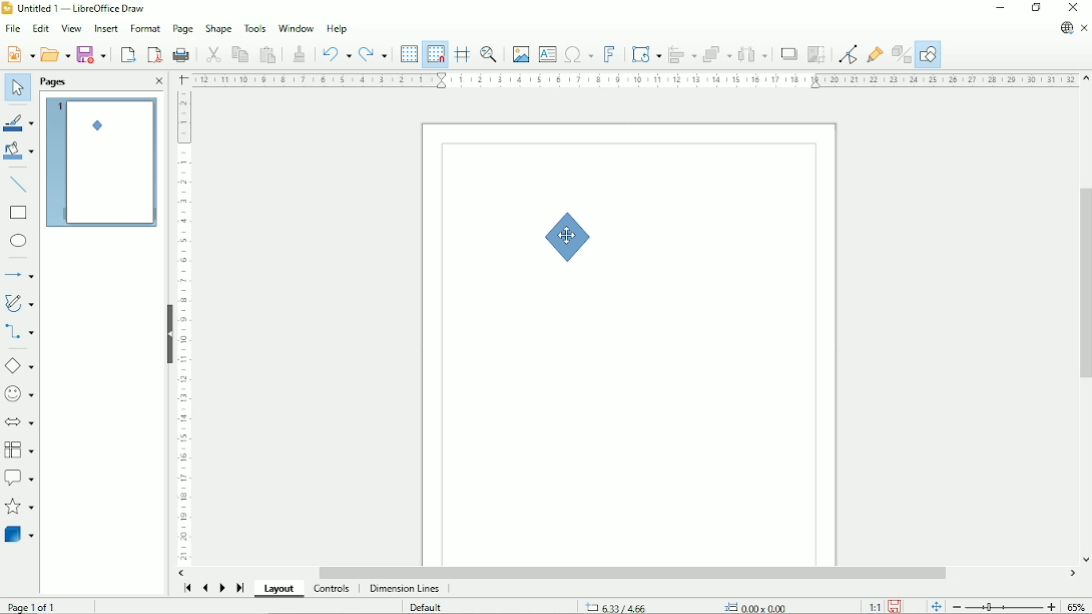  I want to click on Basic shapes, so click(21, 366).